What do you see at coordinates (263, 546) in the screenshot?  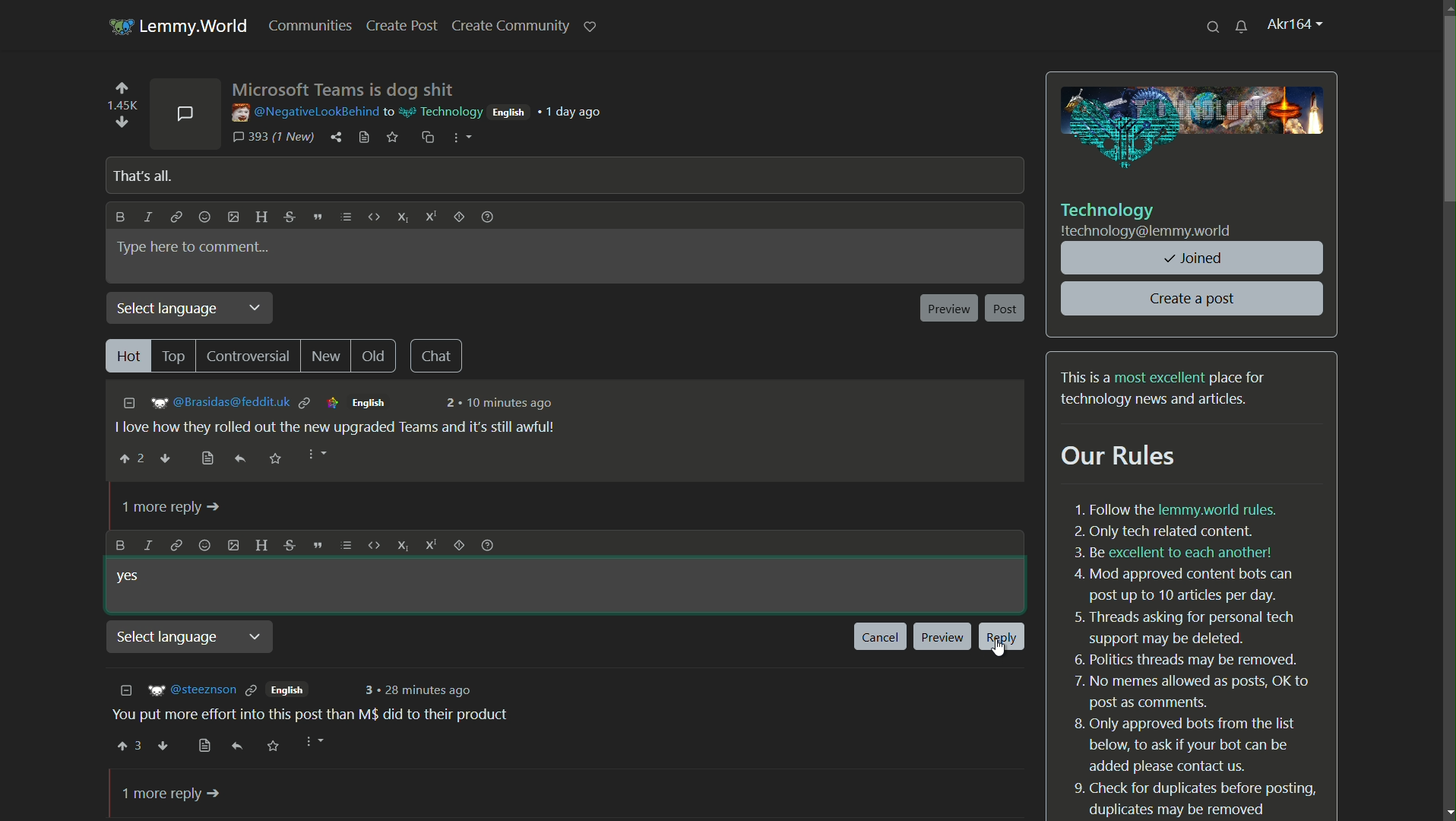 I see `header` at bounding box center [263, 546].